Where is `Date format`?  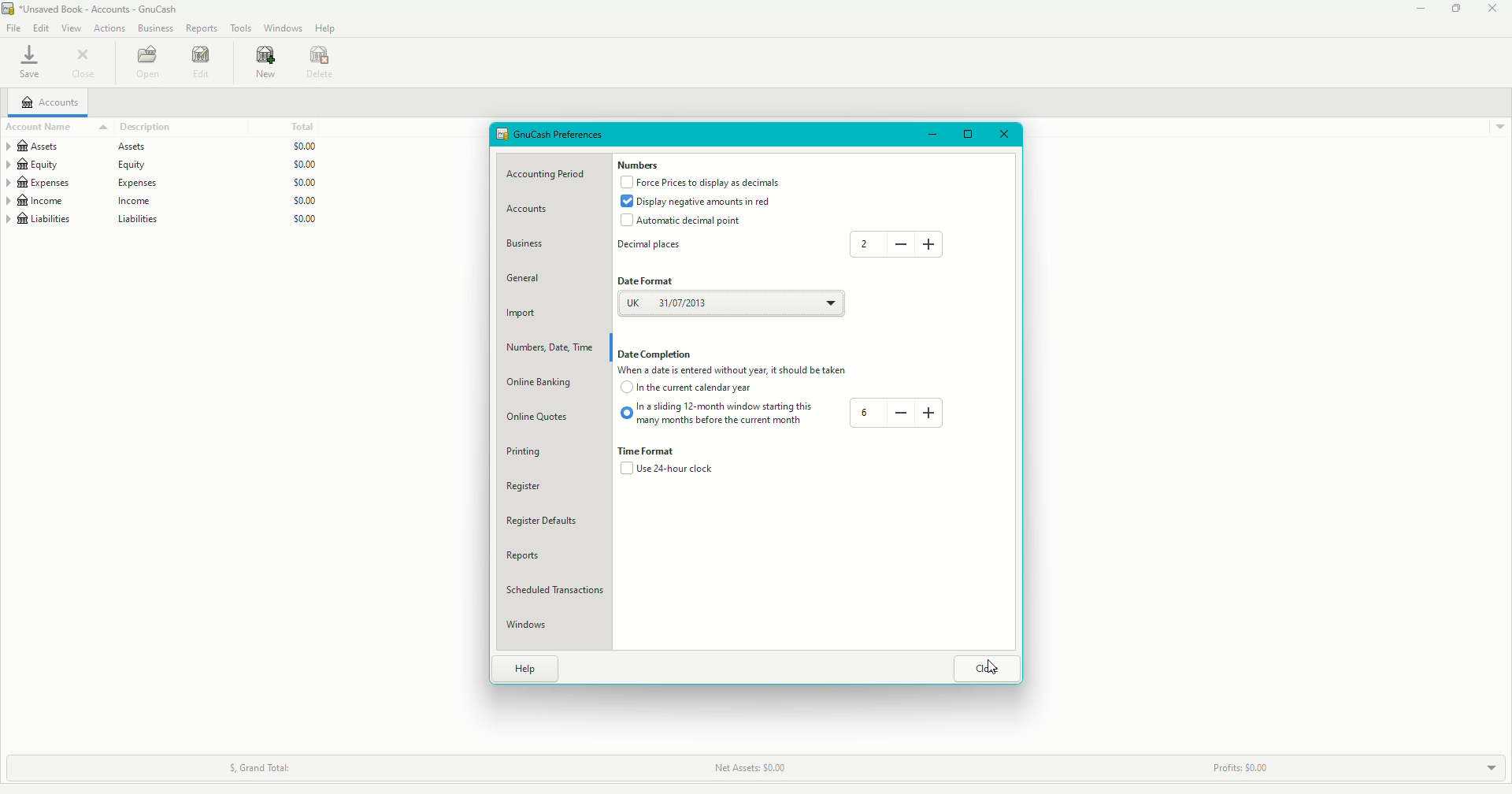 Date format is located at coordinates (645, 281).